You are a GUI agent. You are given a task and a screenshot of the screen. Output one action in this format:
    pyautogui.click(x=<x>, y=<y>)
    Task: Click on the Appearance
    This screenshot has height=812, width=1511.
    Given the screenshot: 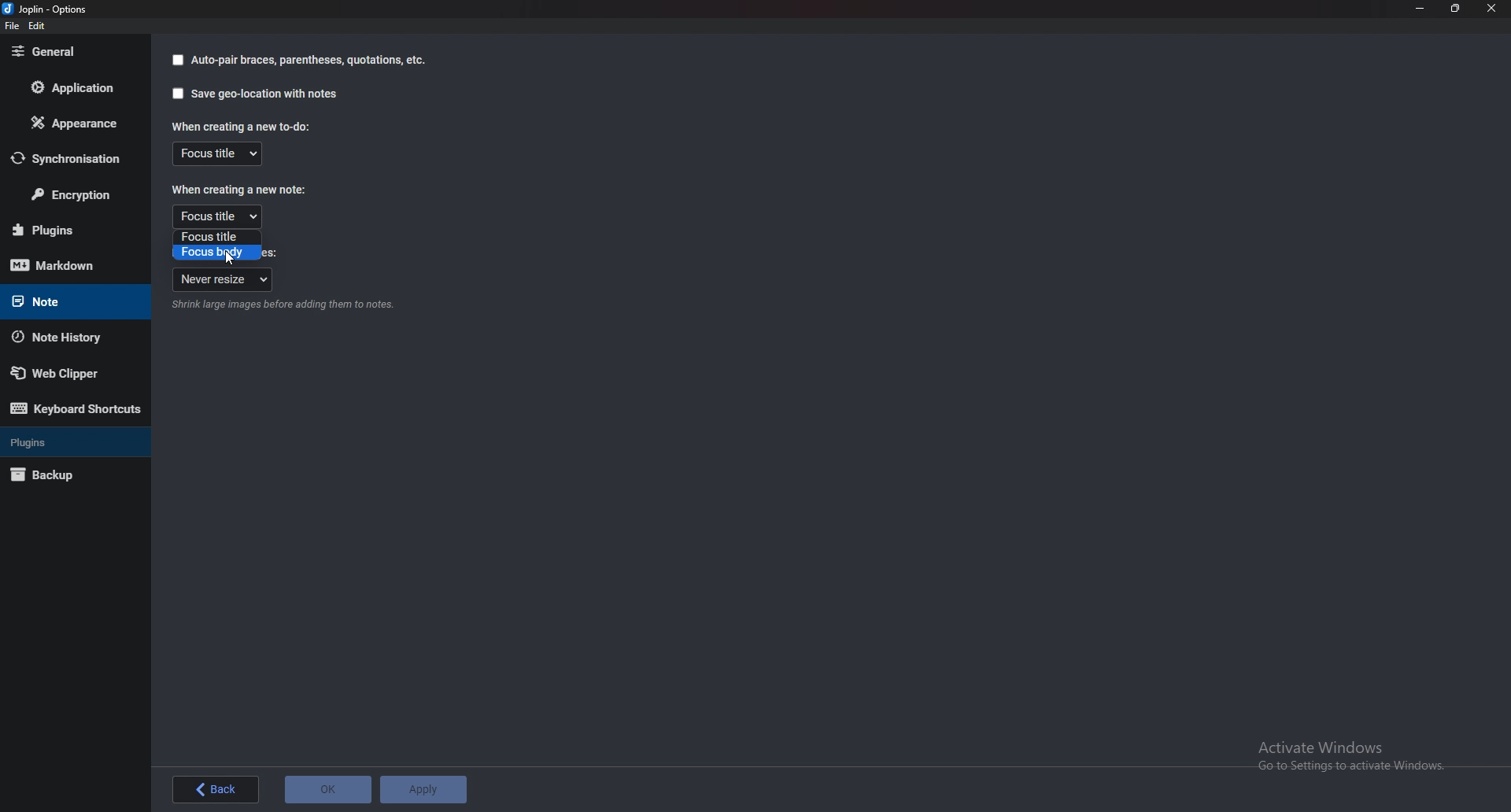 What is the action you would take?
    pyautogui.click(x=72, y=124)
    